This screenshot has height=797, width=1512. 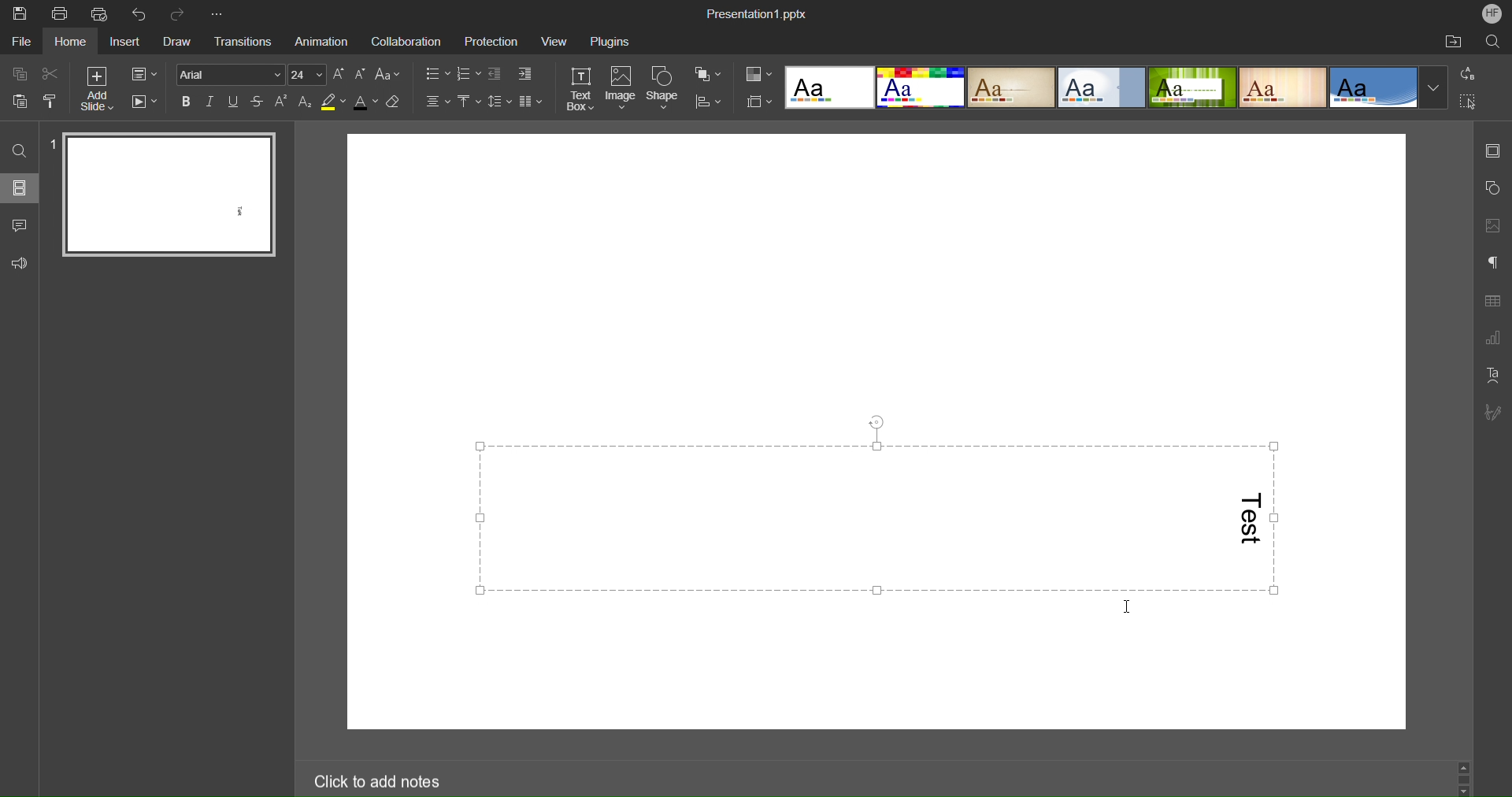 What do you see at coordinates (524, 74) in the screenshot?
I see `Increase Indent` at bounding box center [524, 74].